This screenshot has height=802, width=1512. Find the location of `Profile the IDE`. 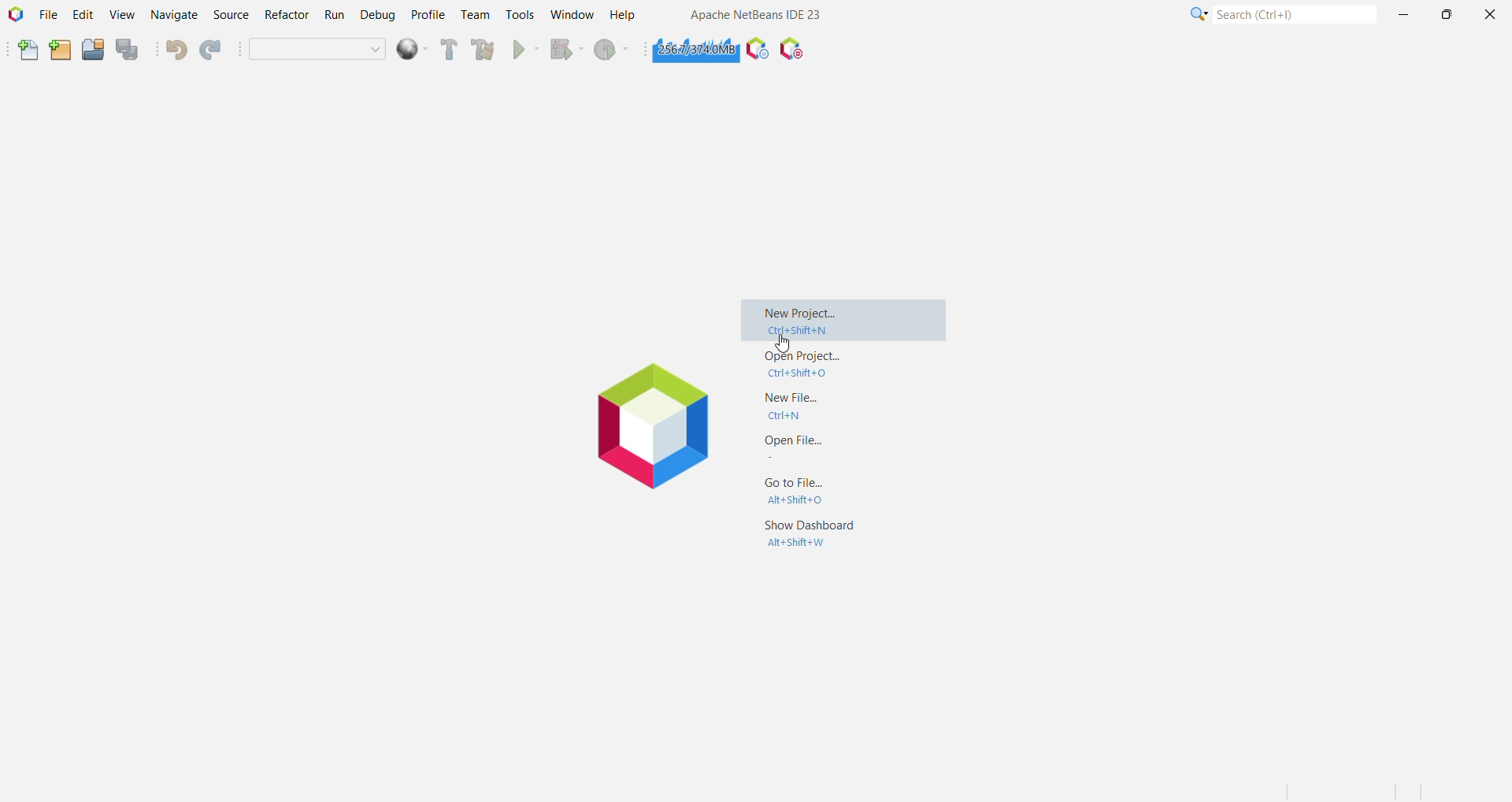

Profile the IDE is located at coordinates (757, 51).